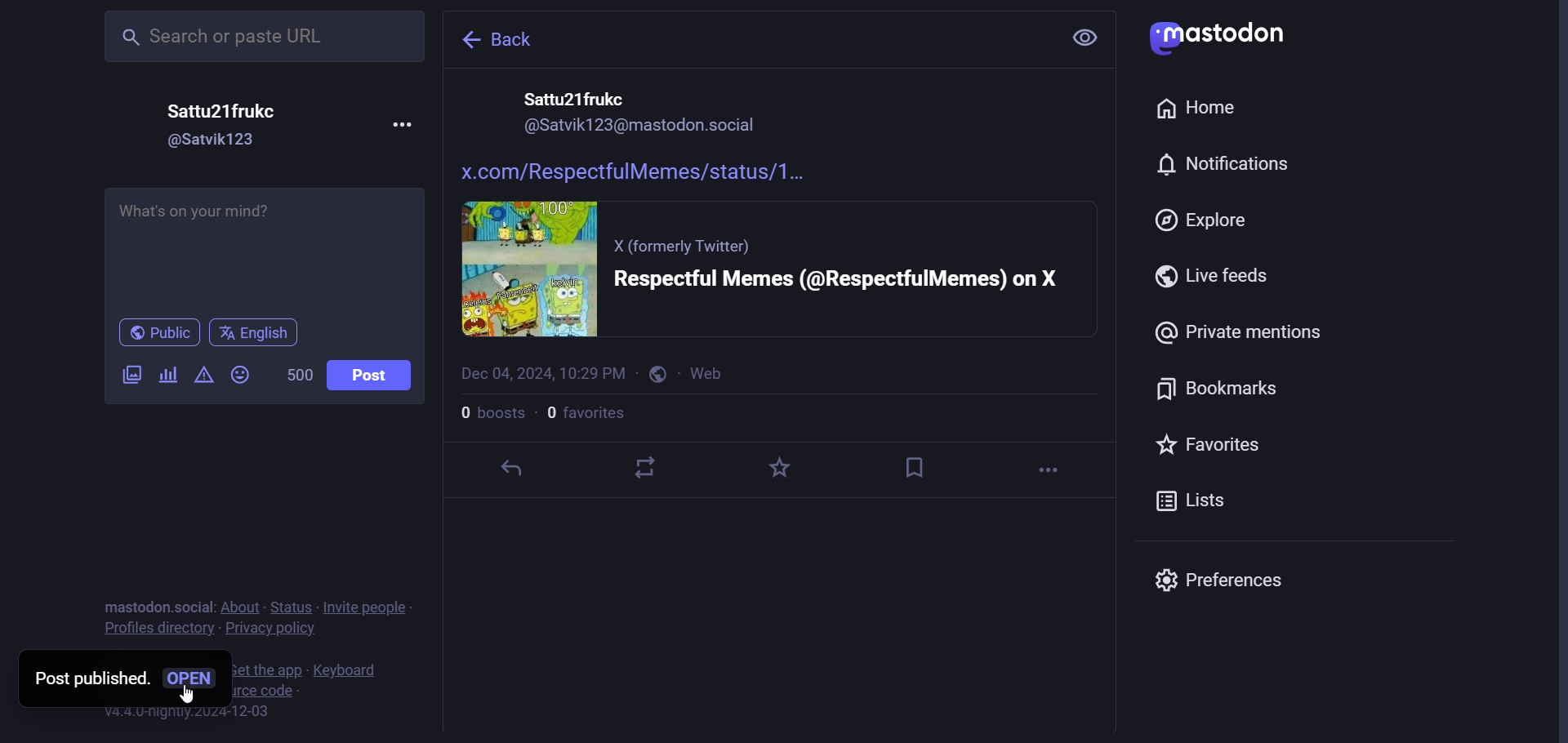 The image size is (1568, 743). Describe the element at coordinates (261, 249) in the screenshot. I see `What's on your mind?` at that location.